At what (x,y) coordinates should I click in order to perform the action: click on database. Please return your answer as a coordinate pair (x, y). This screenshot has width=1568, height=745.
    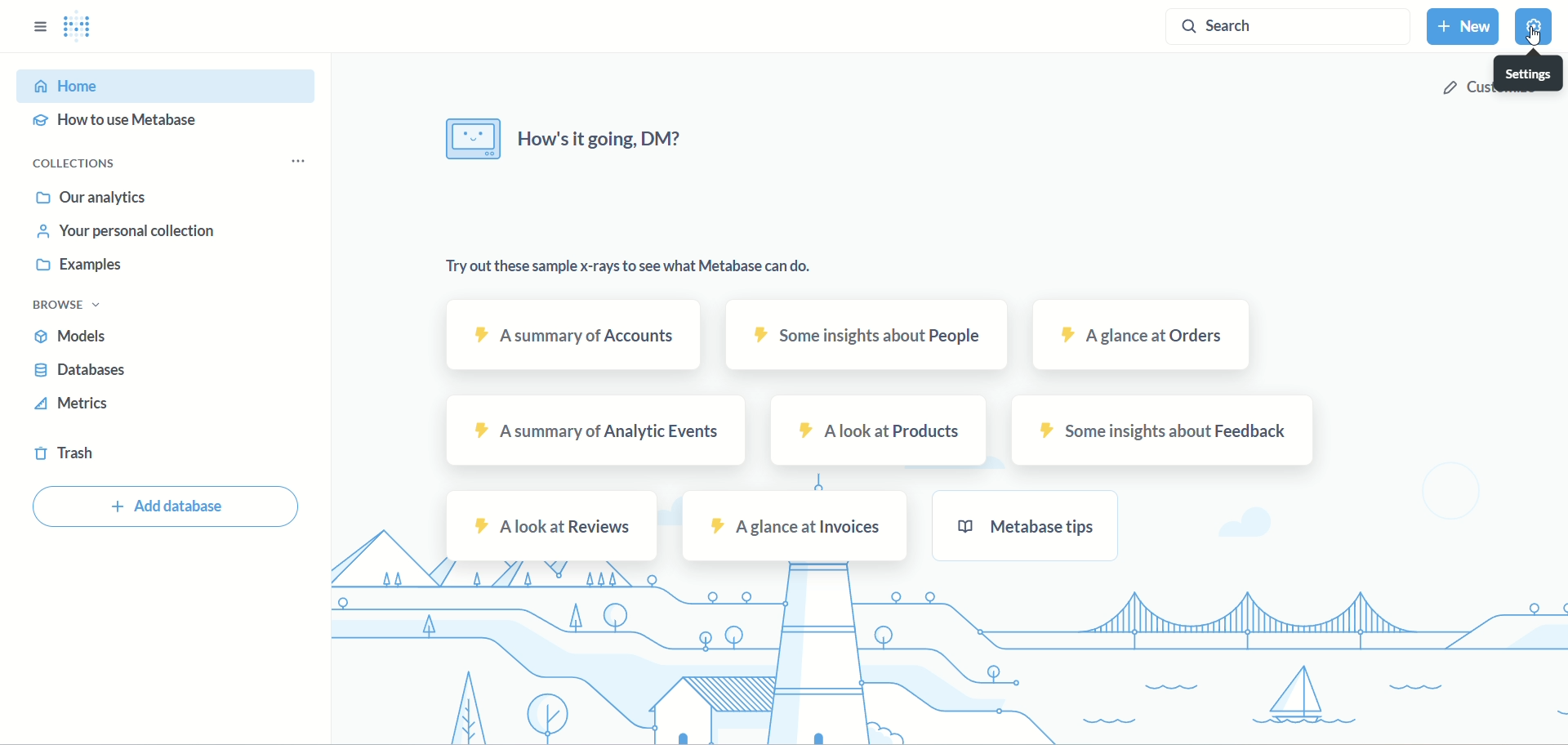
    Looking at the image, I should click on (82, 372).